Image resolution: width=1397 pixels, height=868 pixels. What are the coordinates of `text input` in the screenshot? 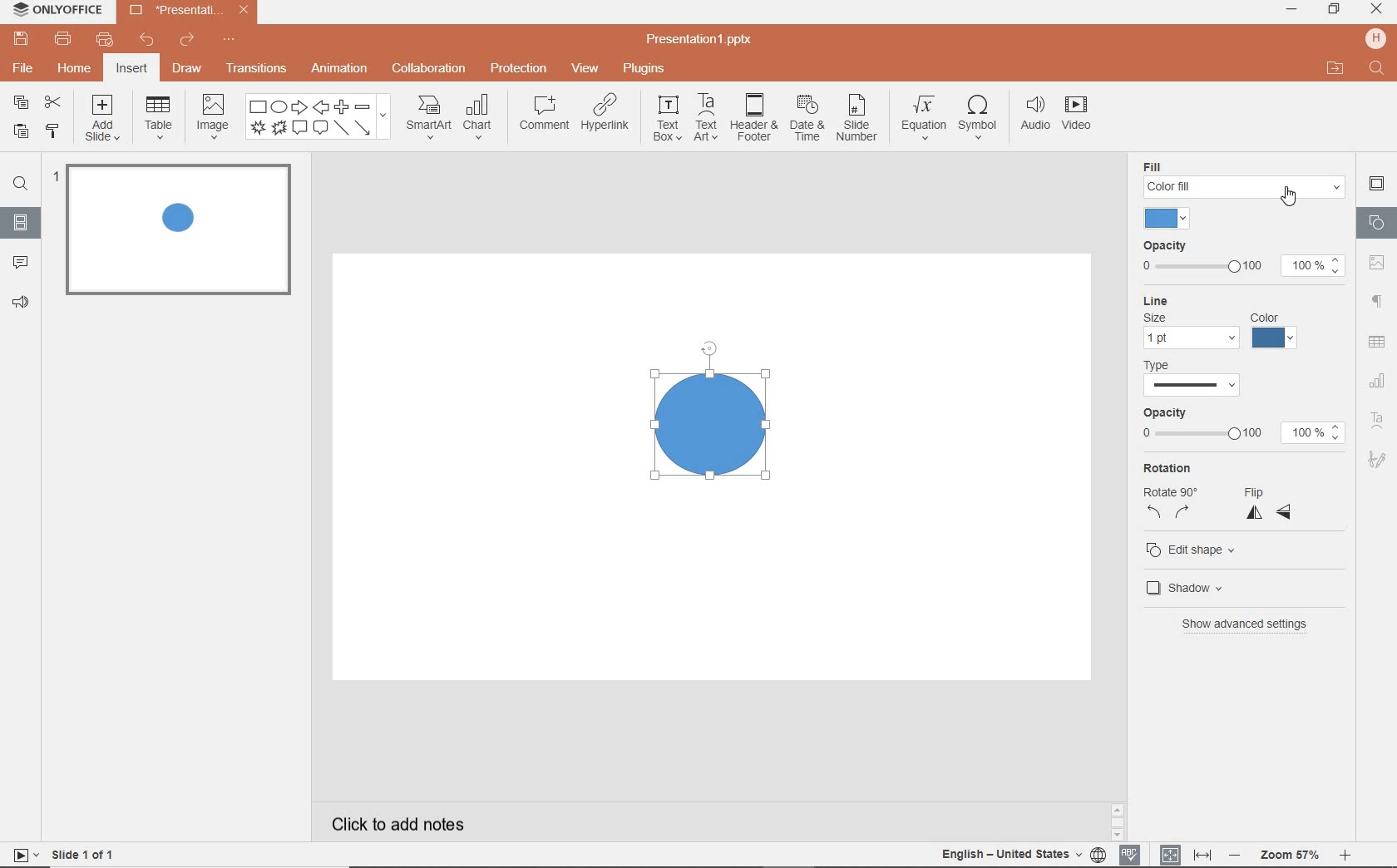 It's located at (1377, 70).